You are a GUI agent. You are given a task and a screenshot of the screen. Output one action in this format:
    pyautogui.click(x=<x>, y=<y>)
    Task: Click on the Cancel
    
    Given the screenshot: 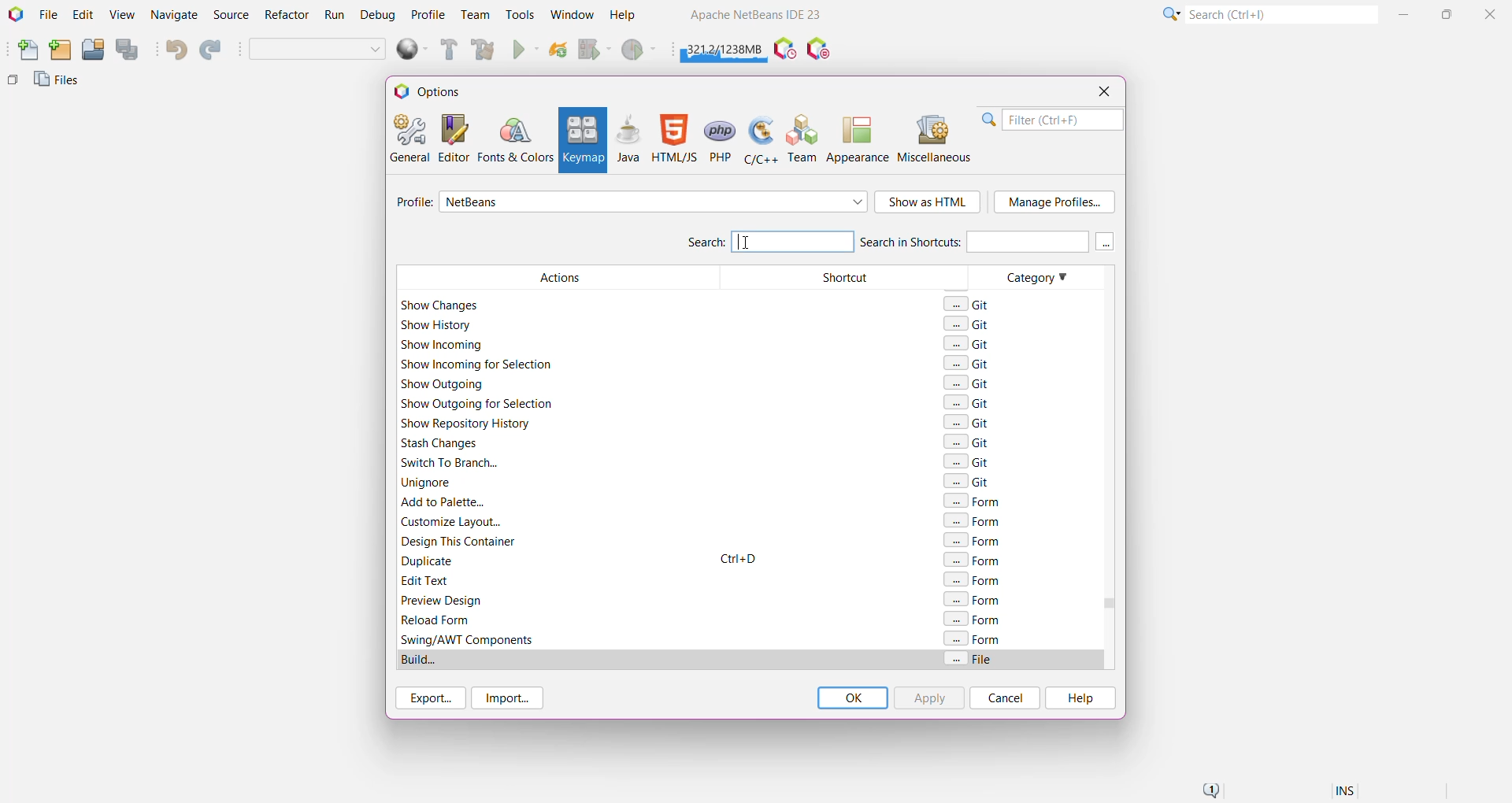 What is the action you would take?
    pyautogui.click(x=1005, y=698)
    